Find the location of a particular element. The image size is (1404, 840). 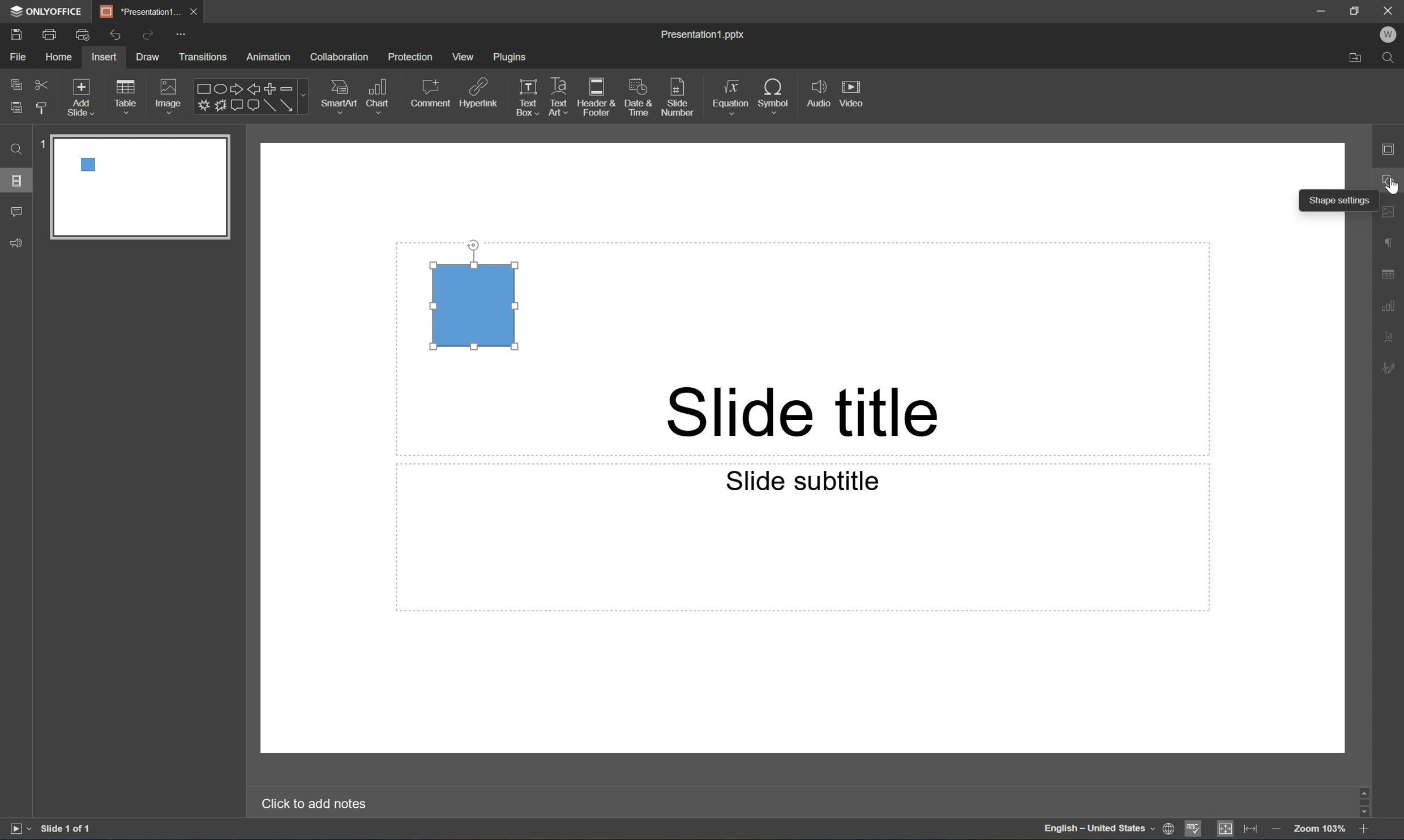

Slide settings is located at coordinates (1393, 148).